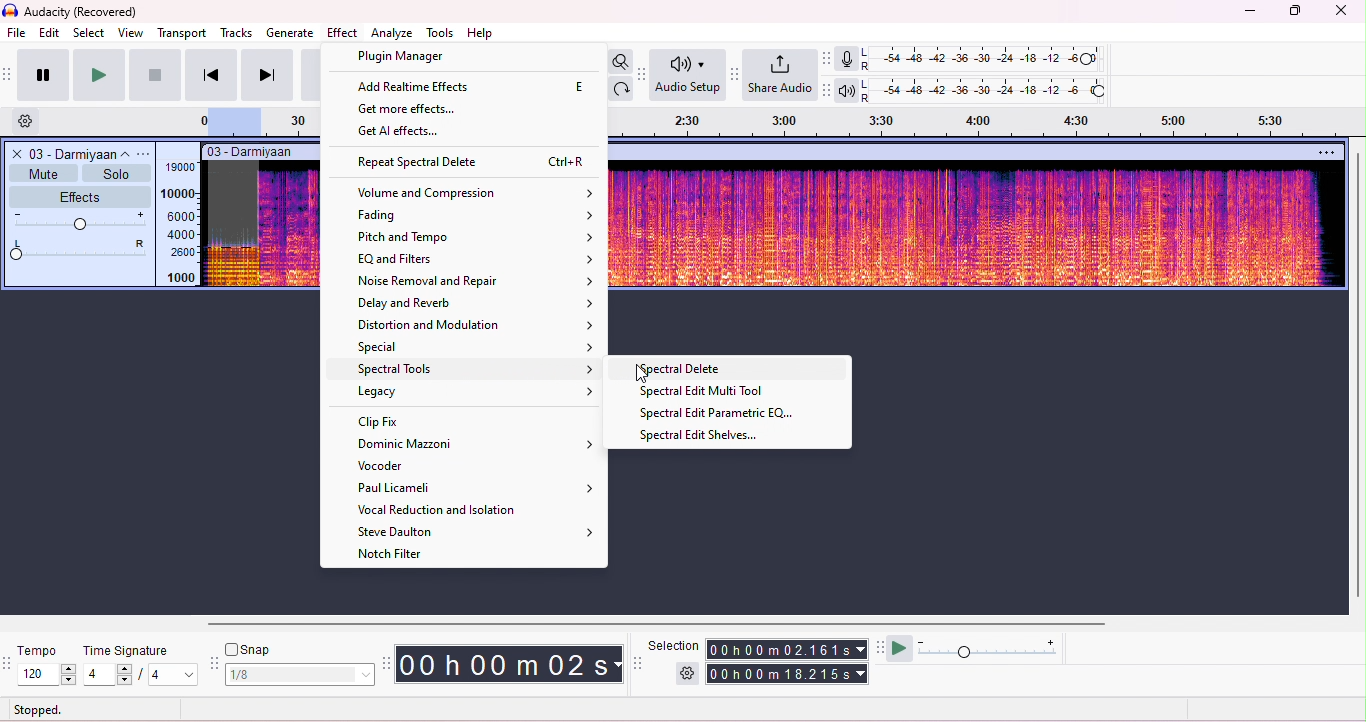  Describe the element at coordinates (476, 163) in the screenshot. I see `repeat spectral delete` at that location.